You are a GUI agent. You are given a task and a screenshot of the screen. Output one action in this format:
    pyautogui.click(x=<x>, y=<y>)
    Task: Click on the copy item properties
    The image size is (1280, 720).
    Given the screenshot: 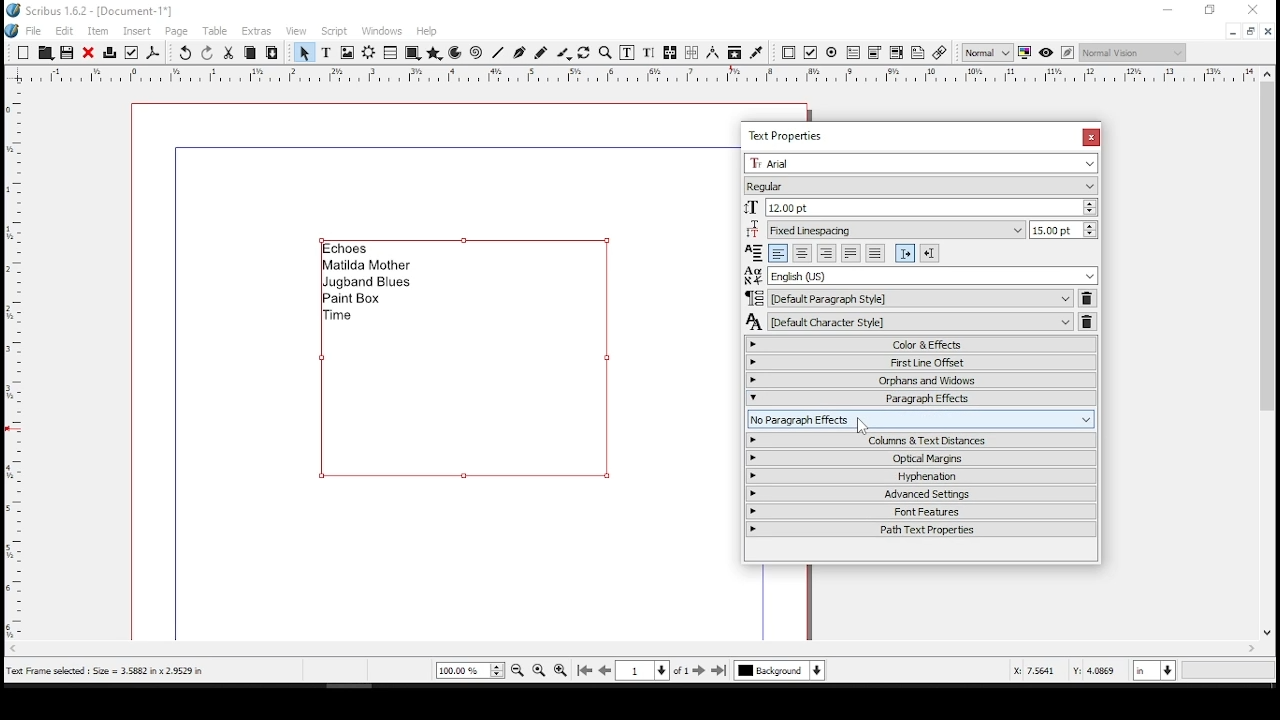 What is the action you would take?
    pyautogui.click(x=732, y=52)
    